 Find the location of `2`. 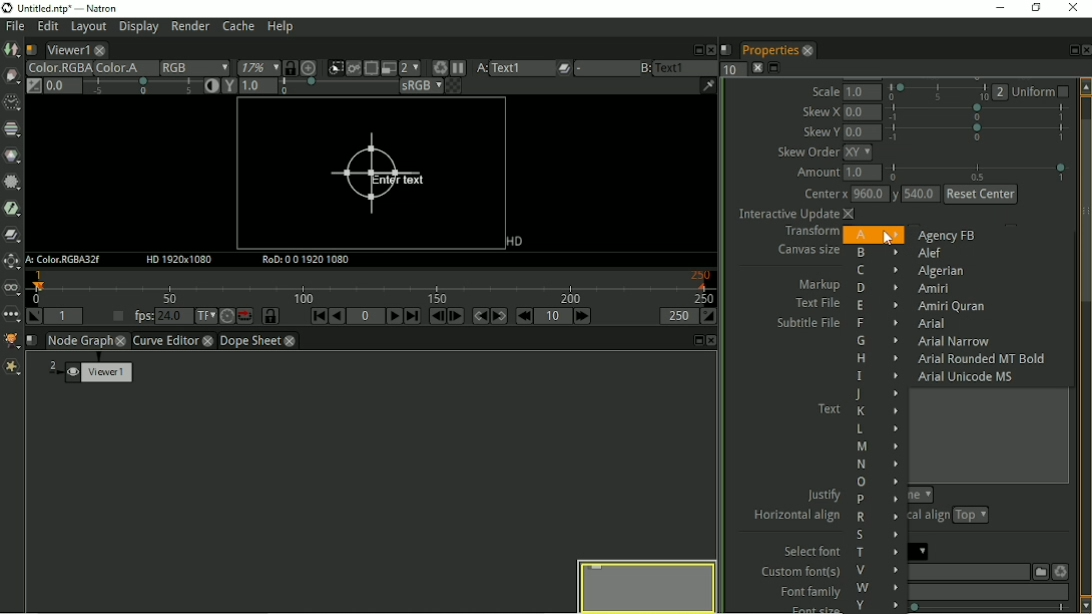

2 is located at coordinates (1001, 92).